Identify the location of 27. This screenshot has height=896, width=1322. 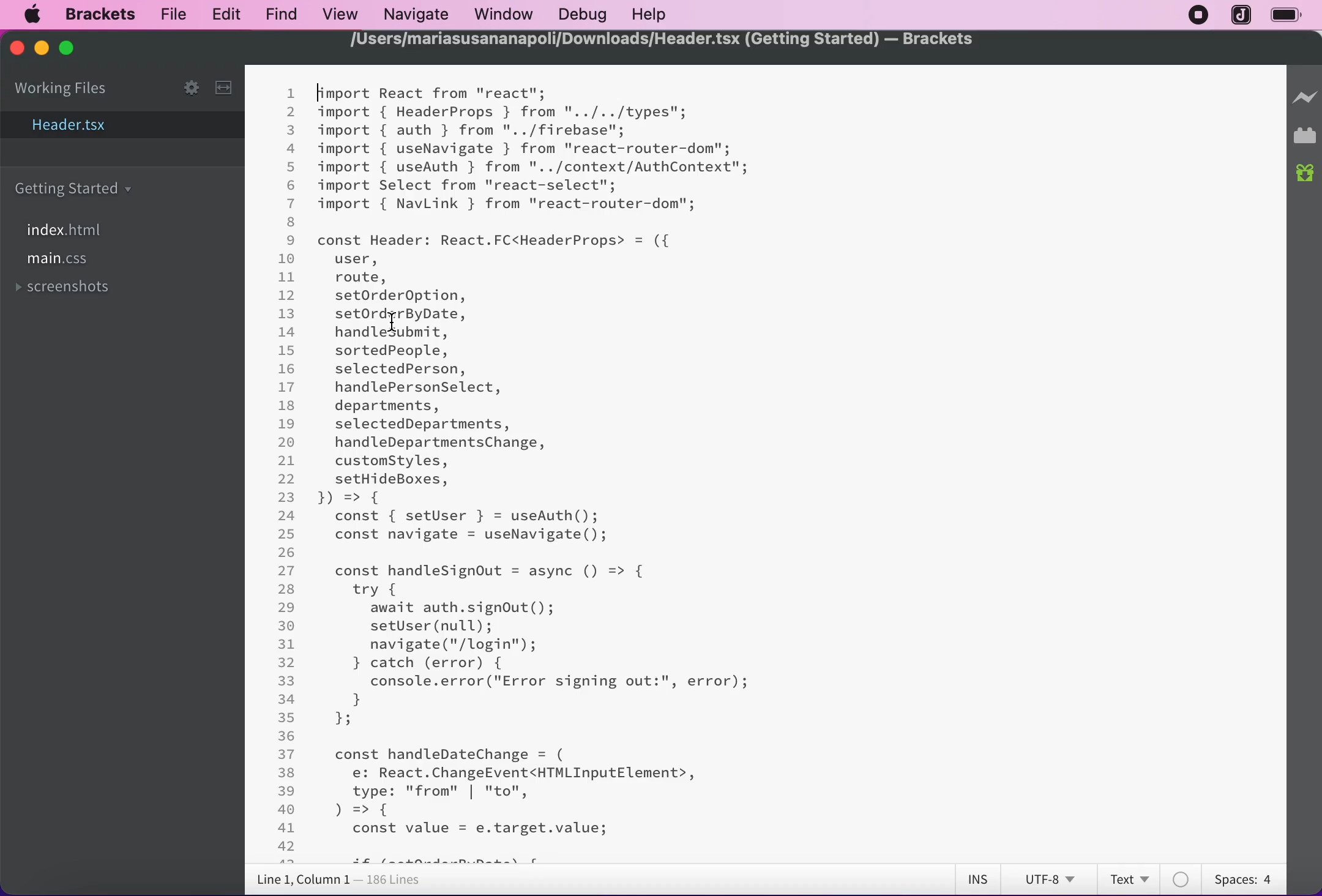
(286, 572).